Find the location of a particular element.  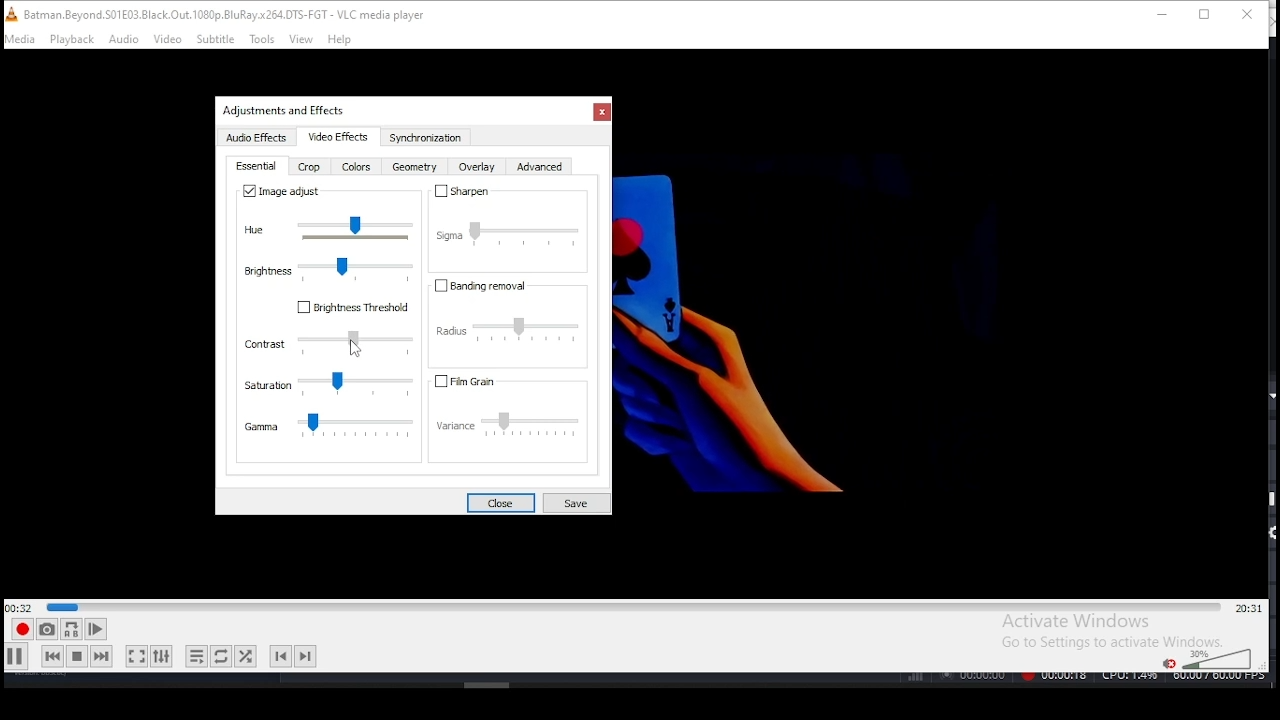

audio effects is located at coordinates (259, 139).